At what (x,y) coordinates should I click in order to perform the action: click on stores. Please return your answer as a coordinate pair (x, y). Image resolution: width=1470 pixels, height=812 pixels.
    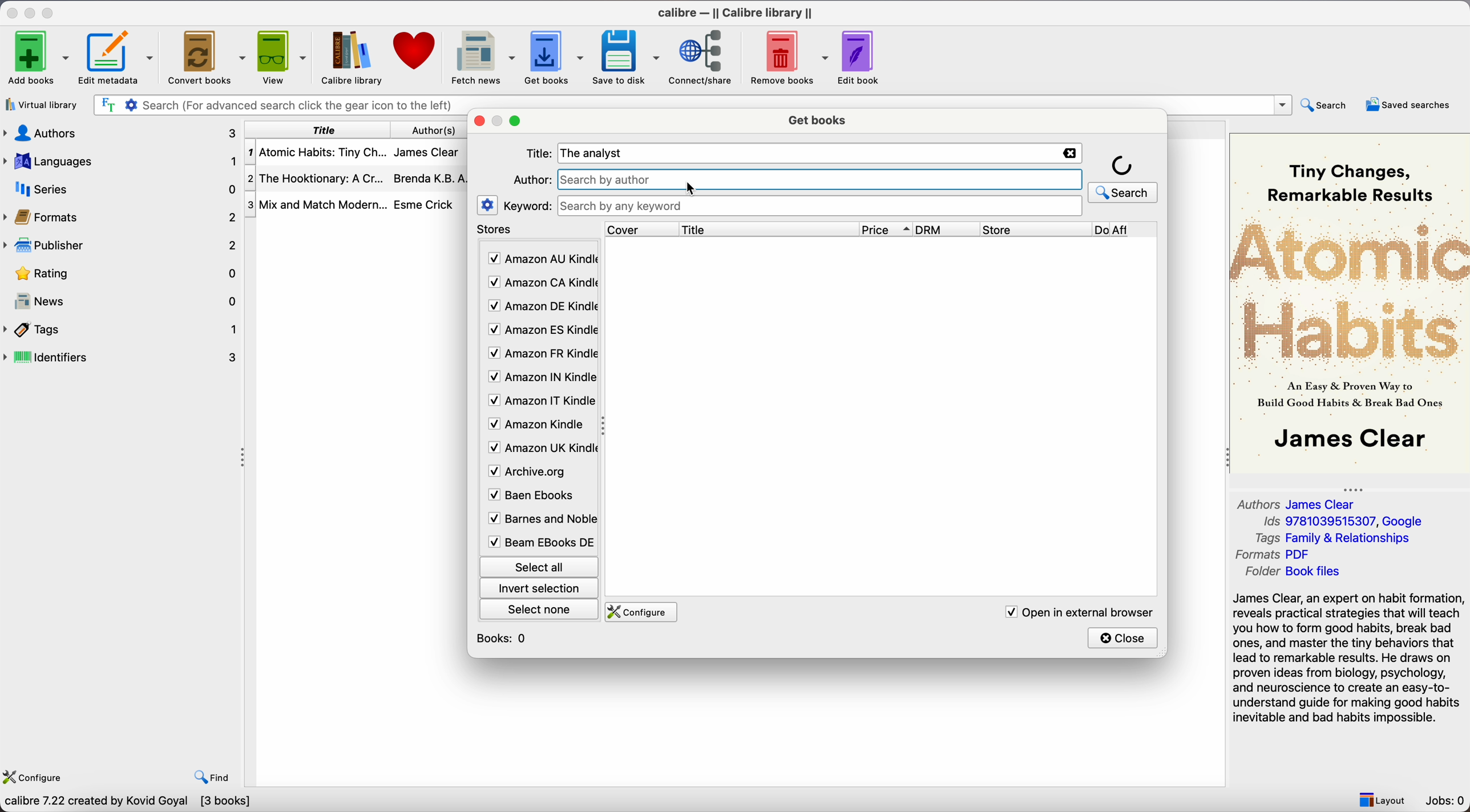
    Looking at the image, I should click on (497, 231).